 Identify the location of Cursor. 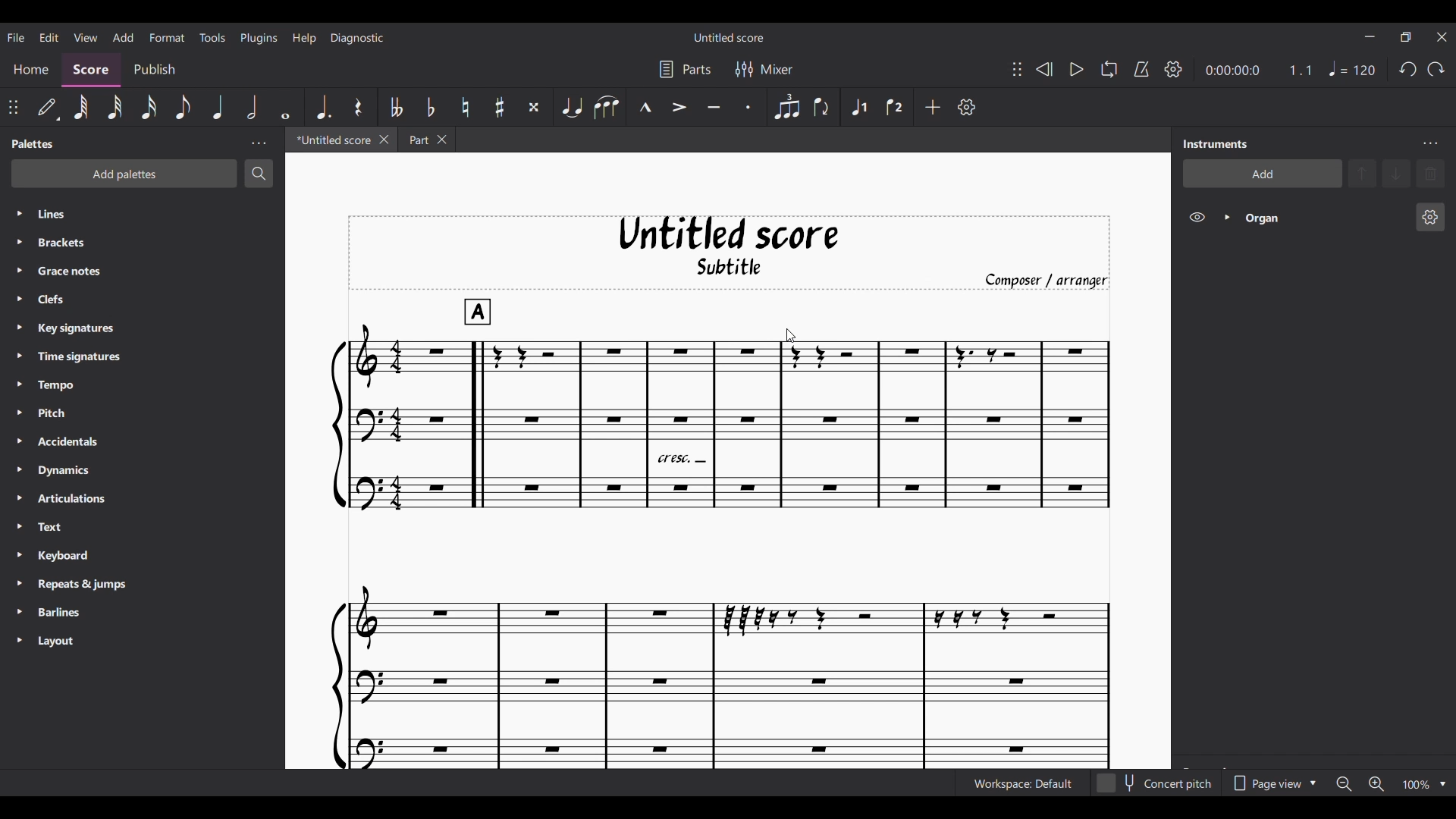
(791, 336).